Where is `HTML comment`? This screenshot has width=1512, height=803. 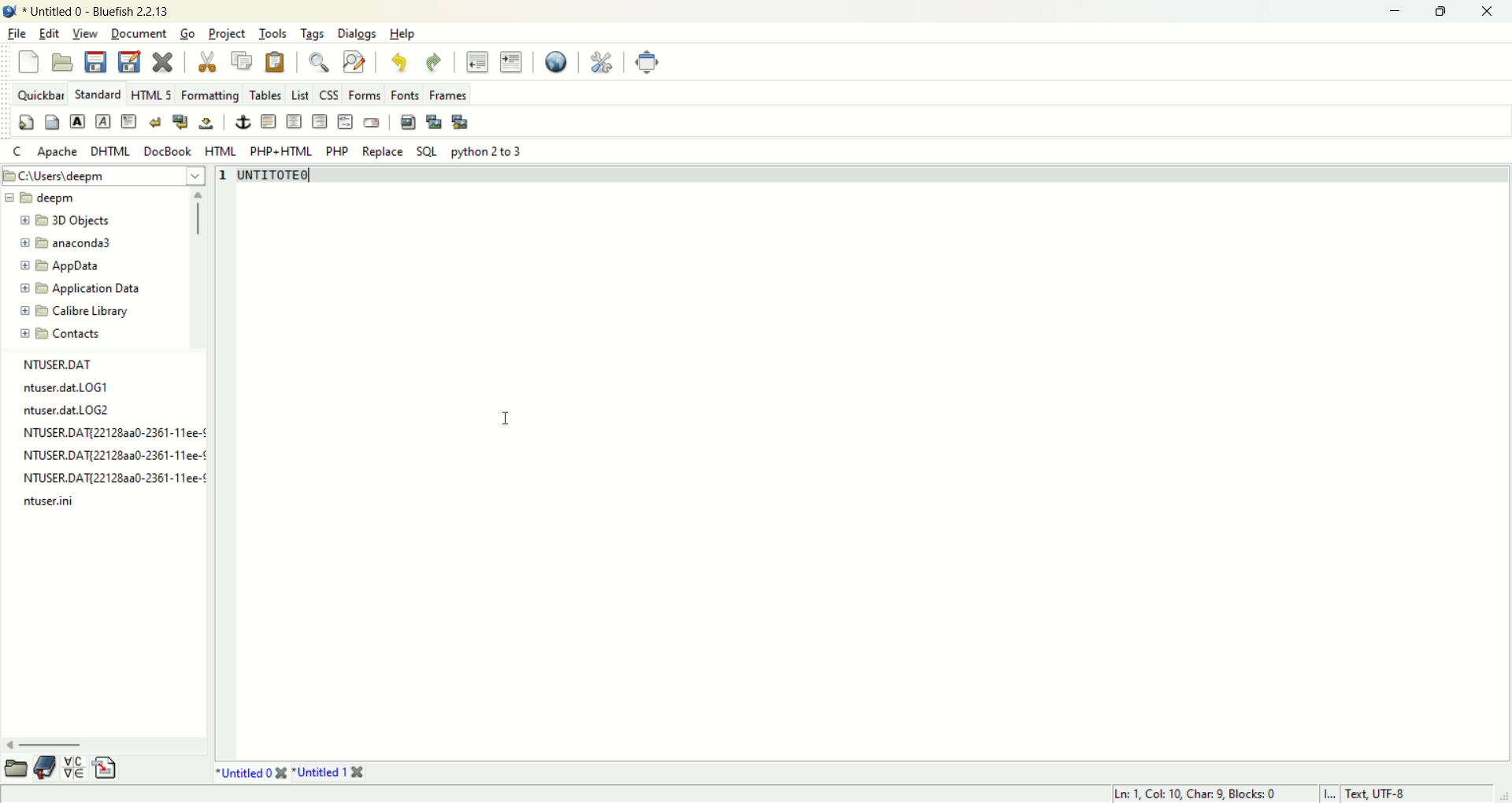
HTML comment is located at coordinates (343, 121).